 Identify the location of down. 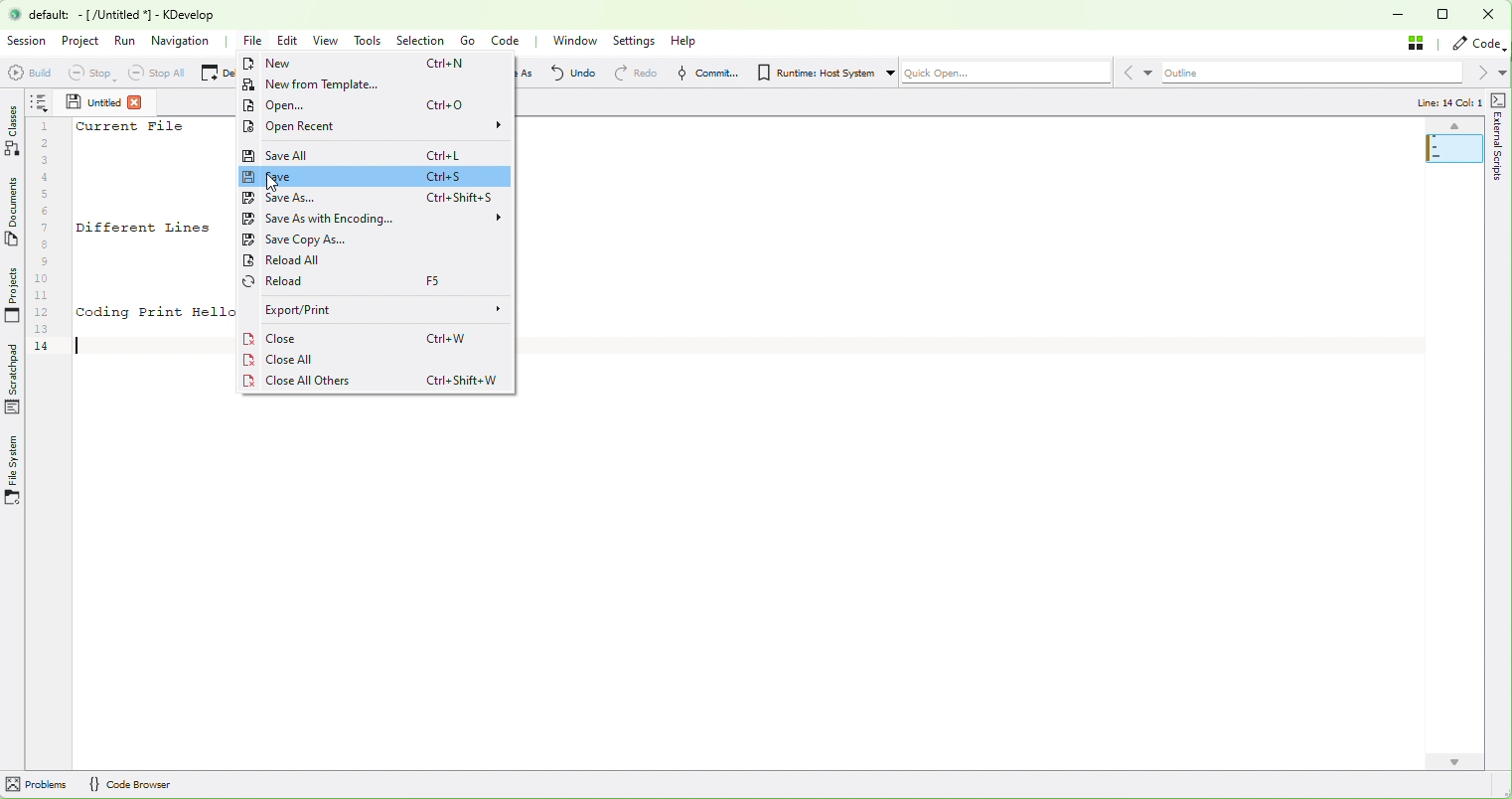
(1453, 762).